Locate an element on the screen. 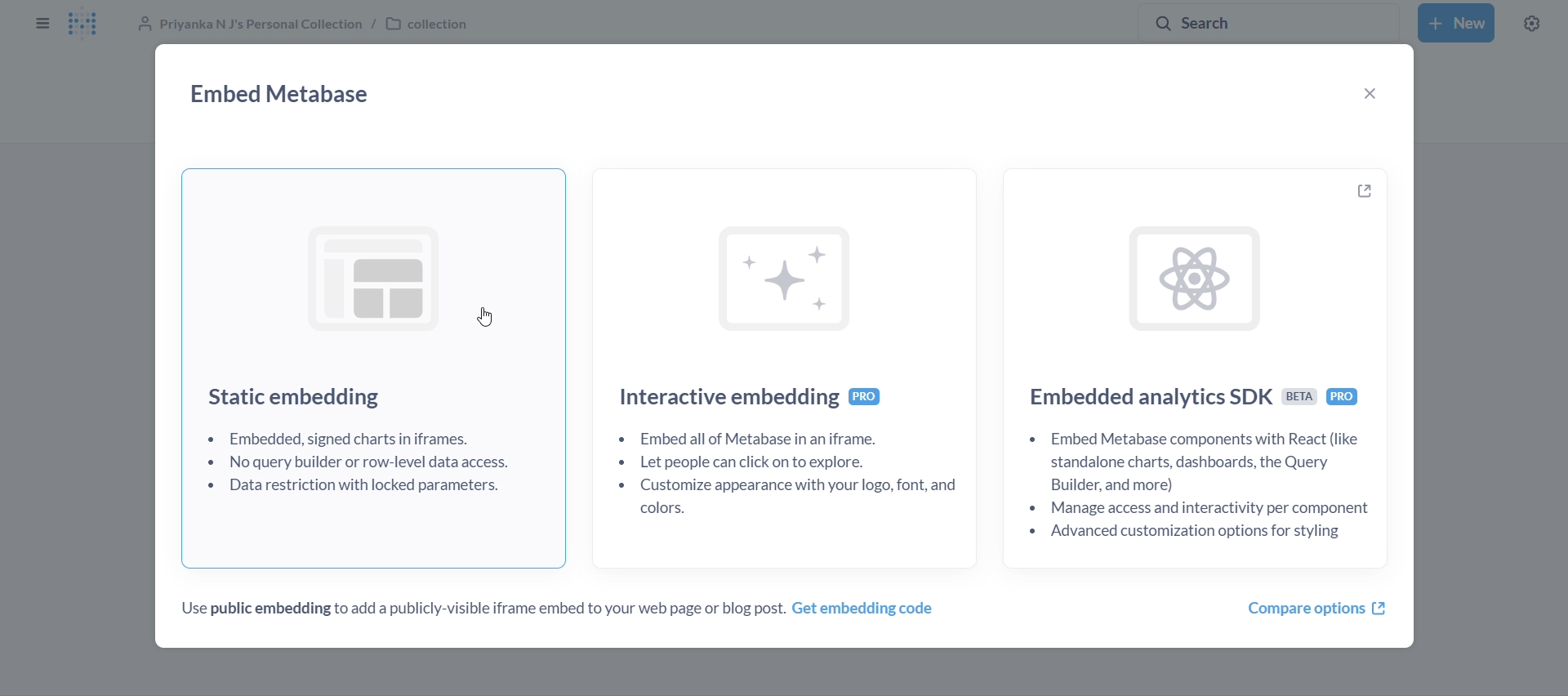 Image resolution: width=1568 pixels, height=696 pixels. Static embedding

+ Embedded, signed charts in iframes.

+ No query builder or row-level data access.
+ Data restriction with locked parameters. is located at coordinates (374, 365).